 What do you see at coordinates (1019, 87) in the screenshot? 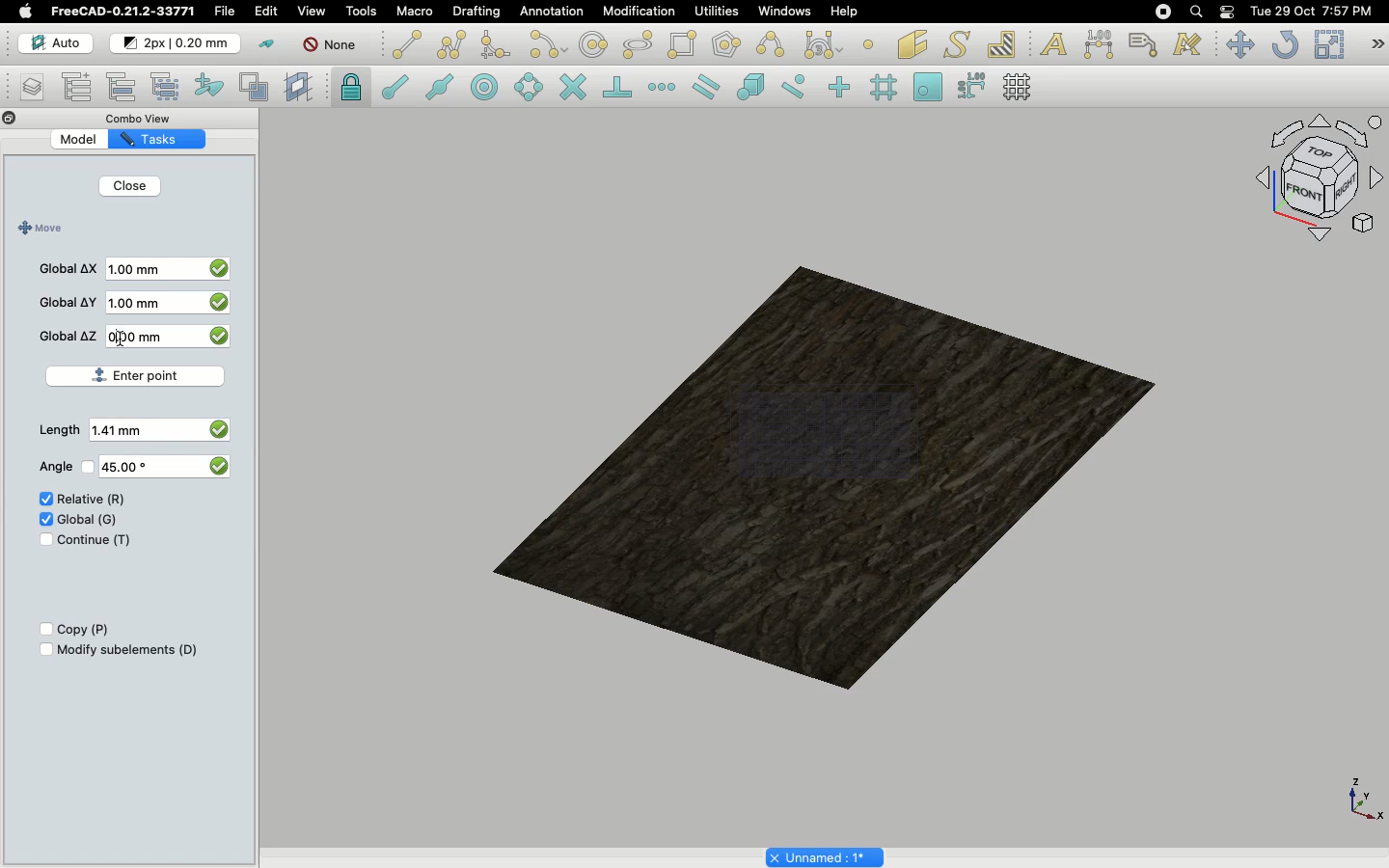
I see `Toggle grid` at bounding box center [1019, 87].